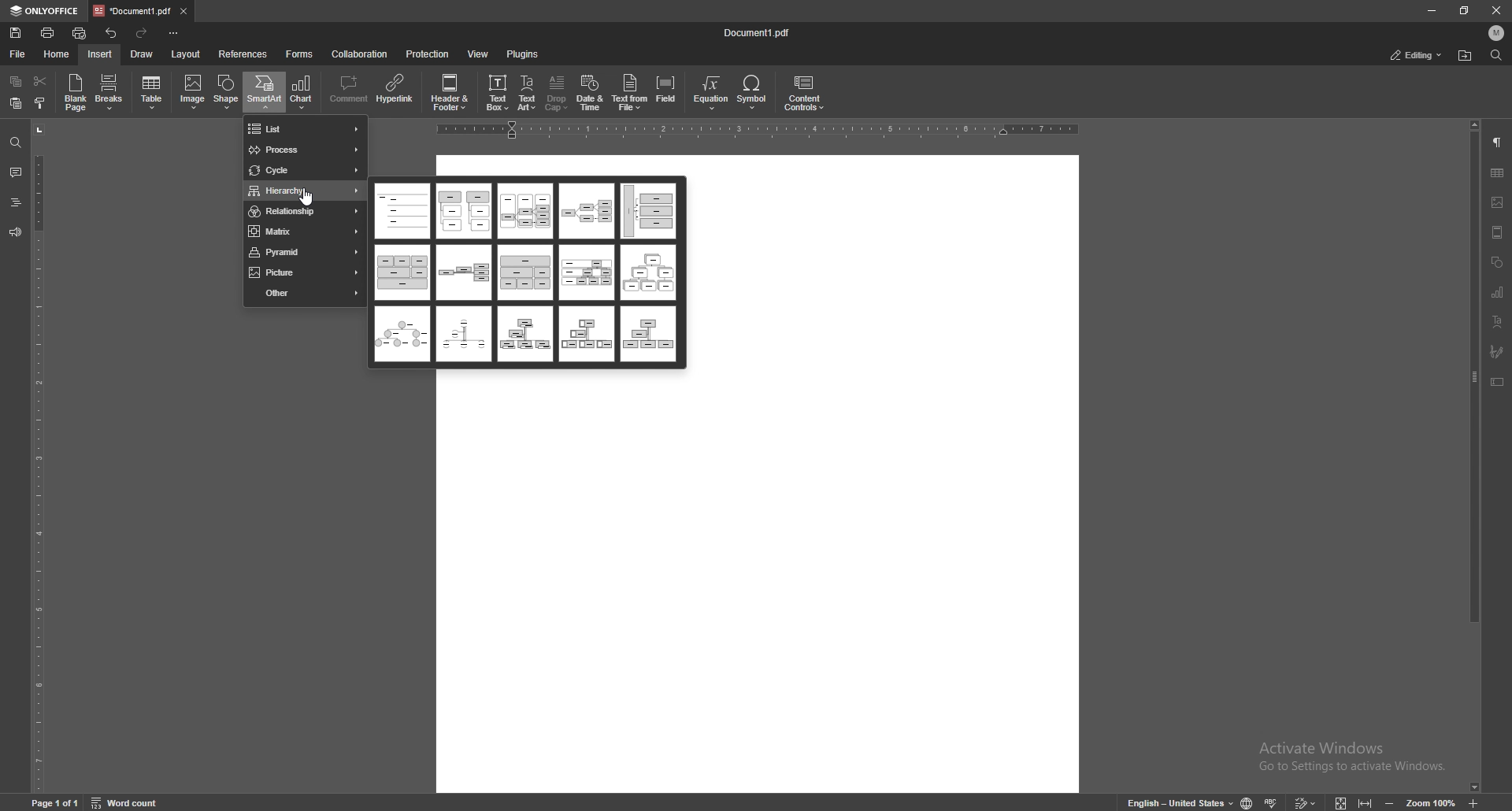 Image resolution: width=1512 pixels, height=811 pixels. I want to click on hierarchy smart art, so click(403, 211).